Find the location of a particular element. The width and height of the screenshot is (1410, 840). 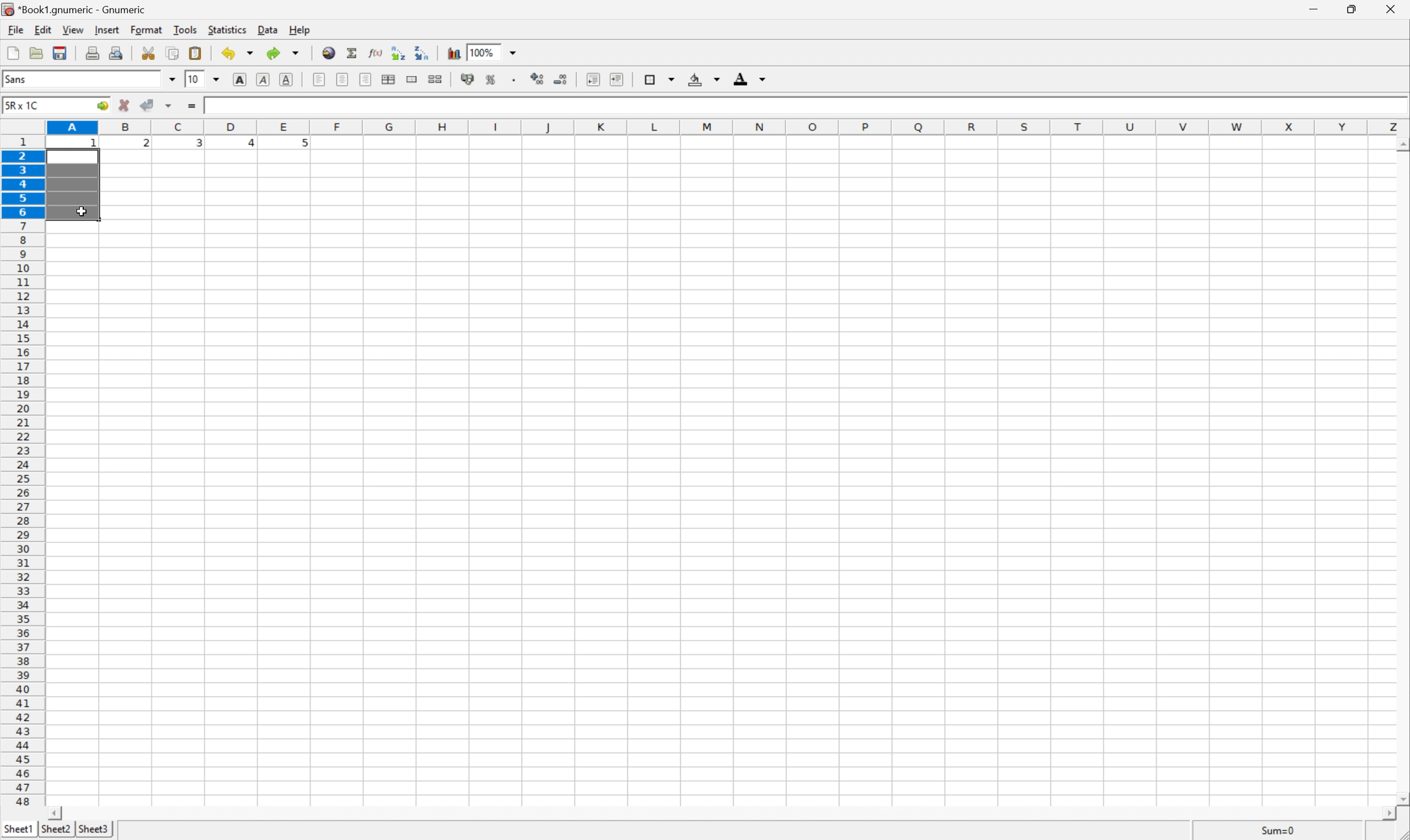

row numbers is located at coordinates (23, 471).